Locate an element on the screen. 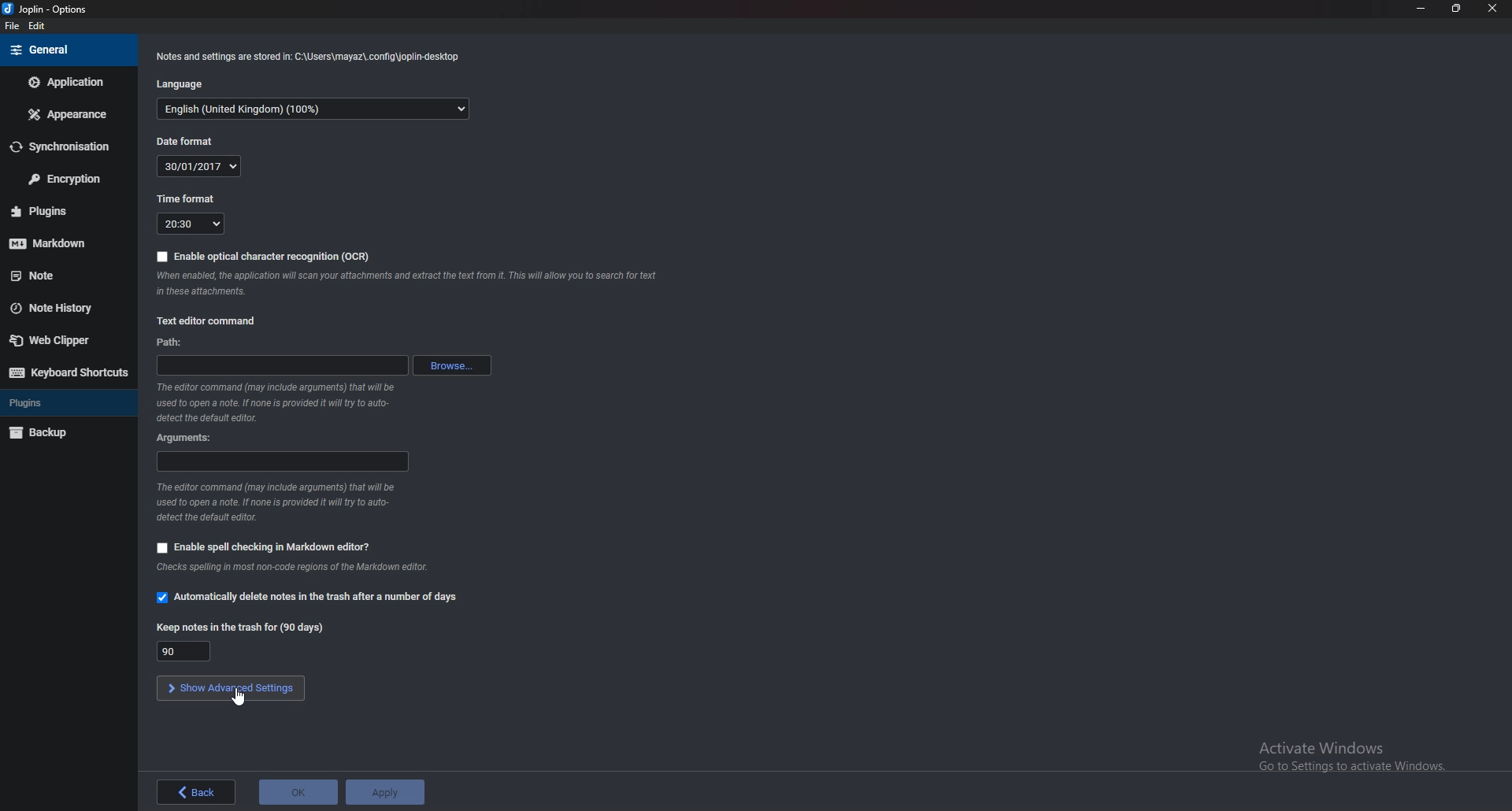  Edit is located at coordinates (37, 27).